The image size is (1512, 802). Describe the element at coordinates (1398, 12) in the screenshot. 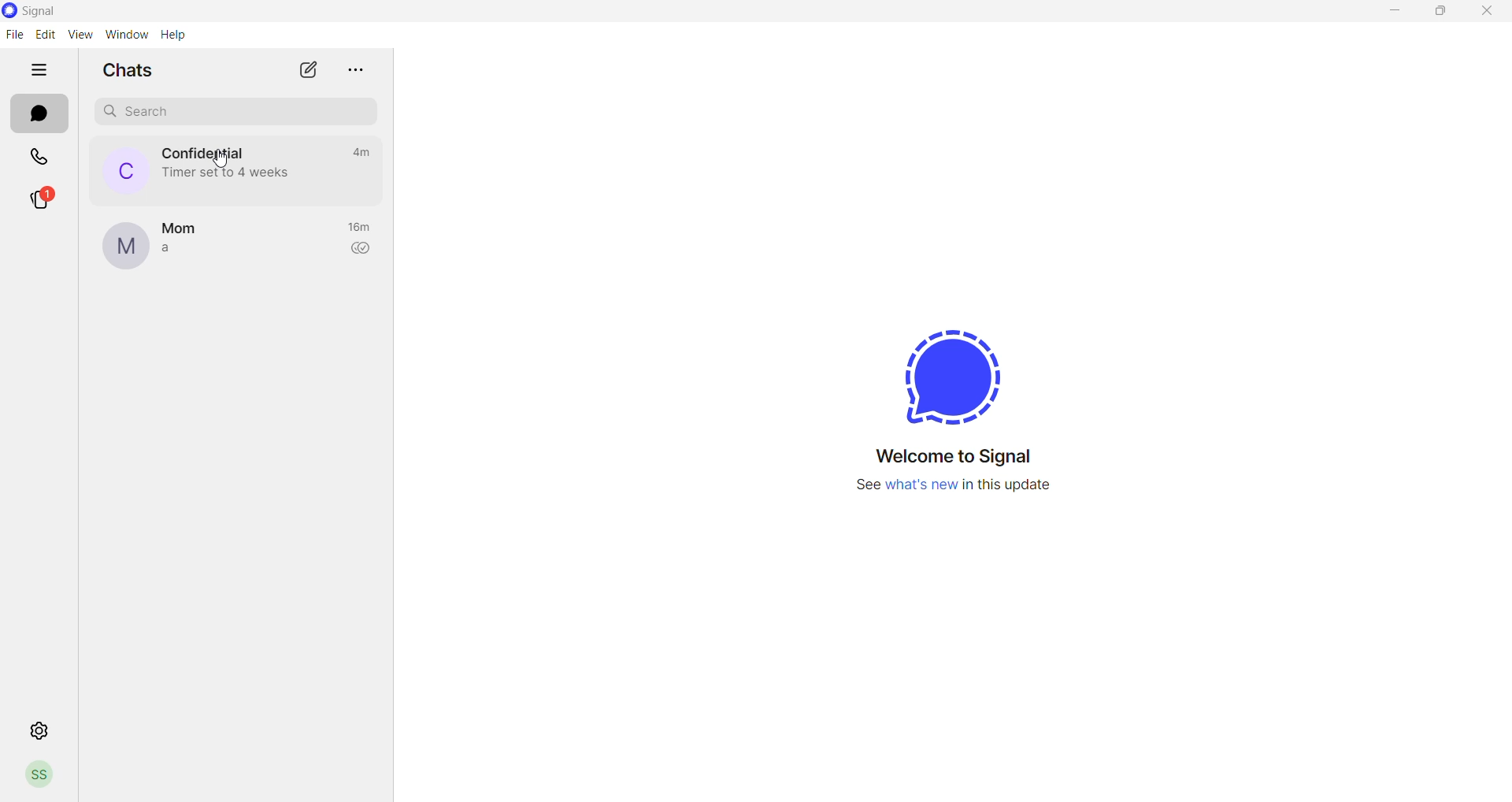

I see `minimize` at that location.